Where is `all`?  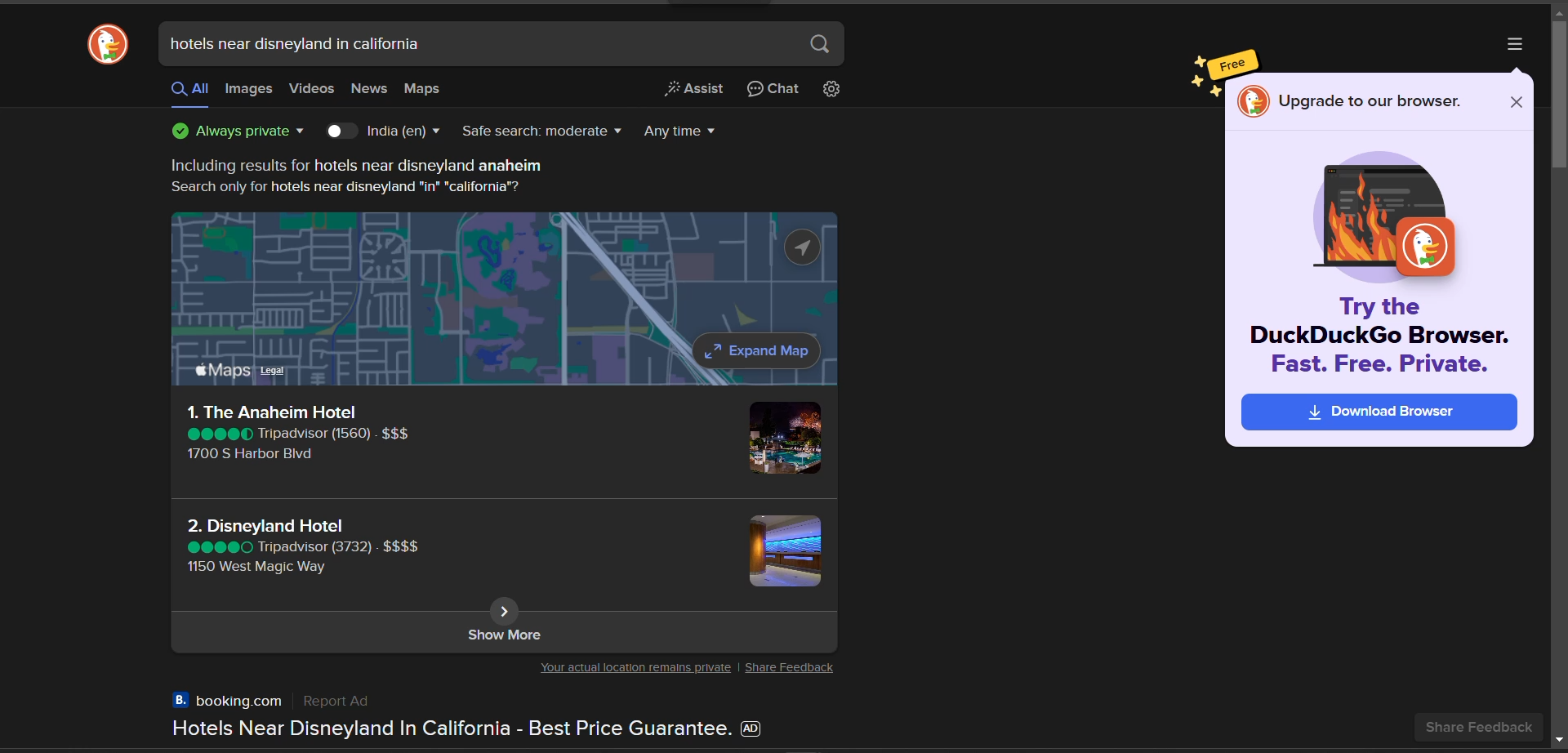
all is located at coordinates (189, 91).